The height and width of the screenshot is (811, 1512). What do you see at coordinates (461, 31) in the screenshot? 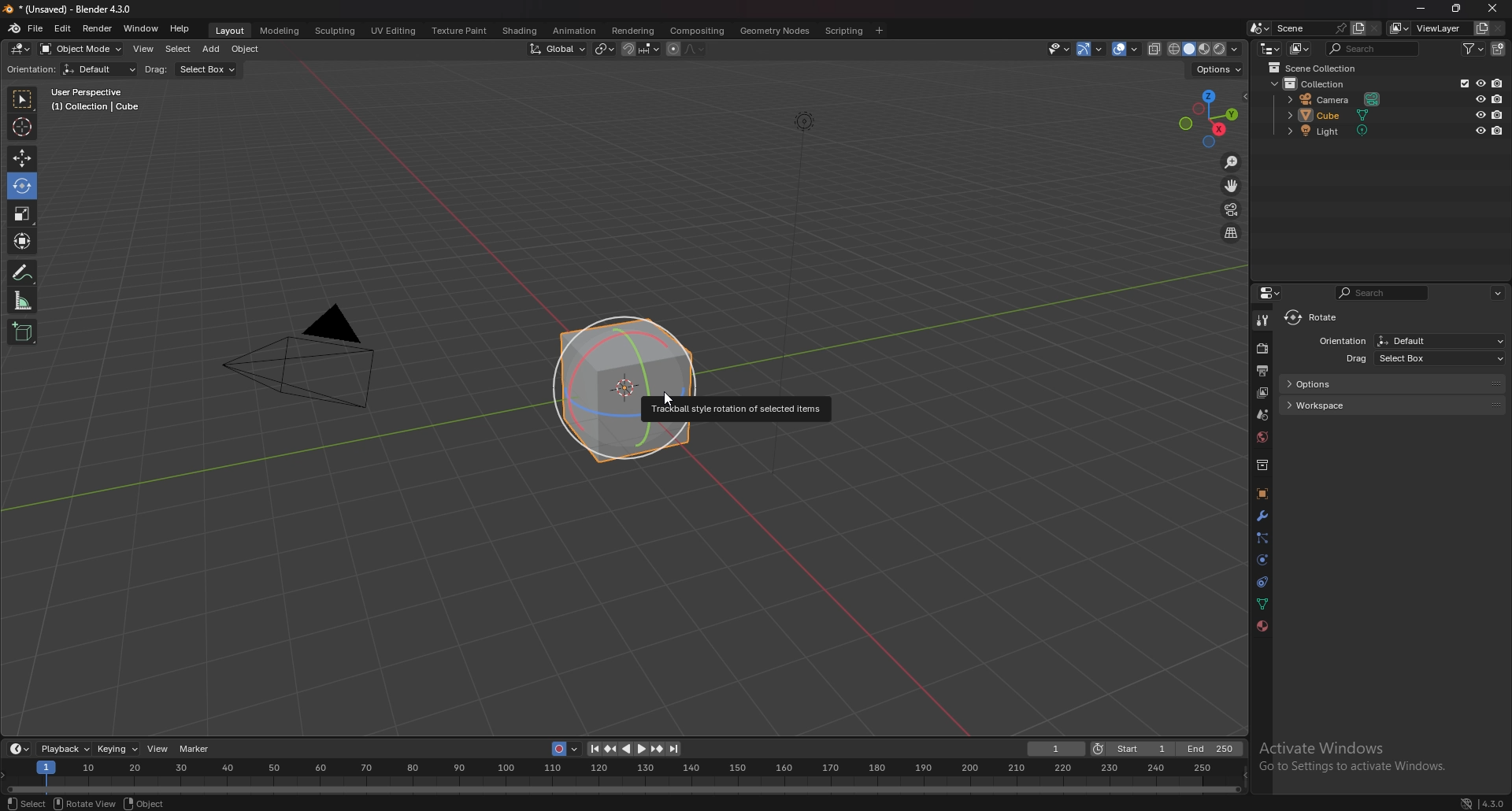
I see `texture paint` at bounding box center [461, 31].